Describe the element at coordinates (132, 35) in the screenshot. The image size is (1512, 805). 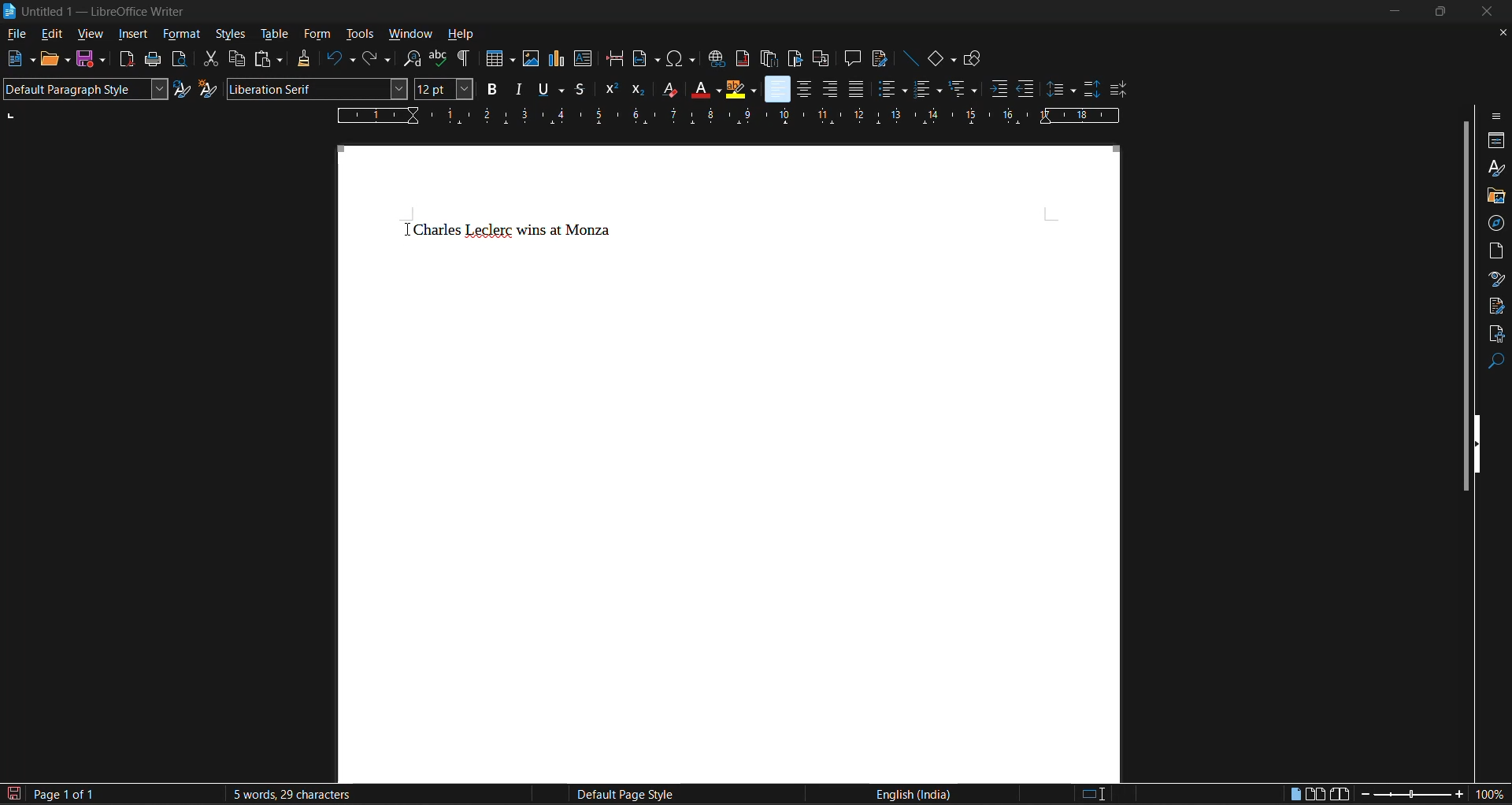
I see `insert` at that location.